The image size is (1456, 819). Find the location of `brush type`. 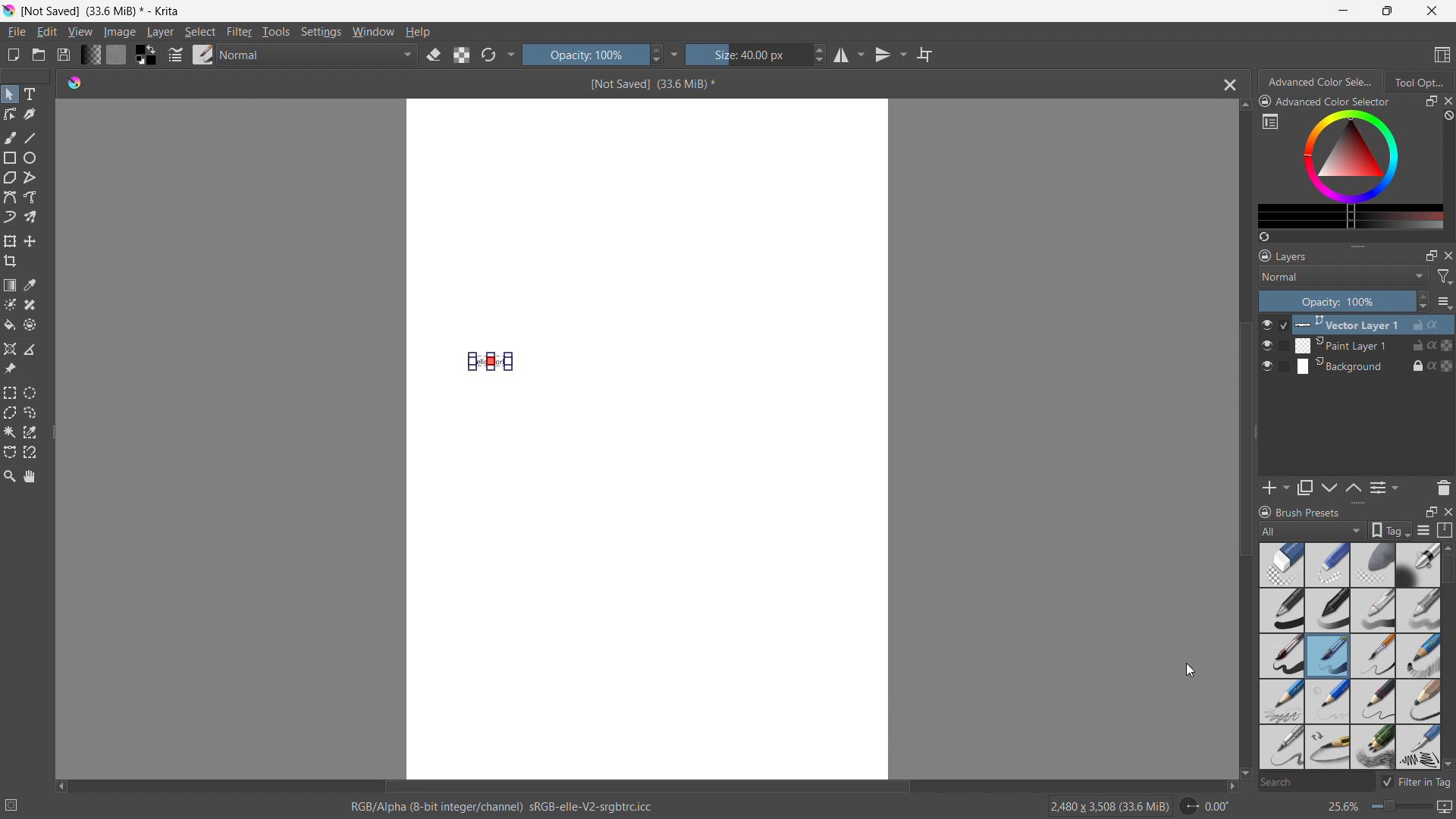

brush type is located at coordinates (1313, 530).